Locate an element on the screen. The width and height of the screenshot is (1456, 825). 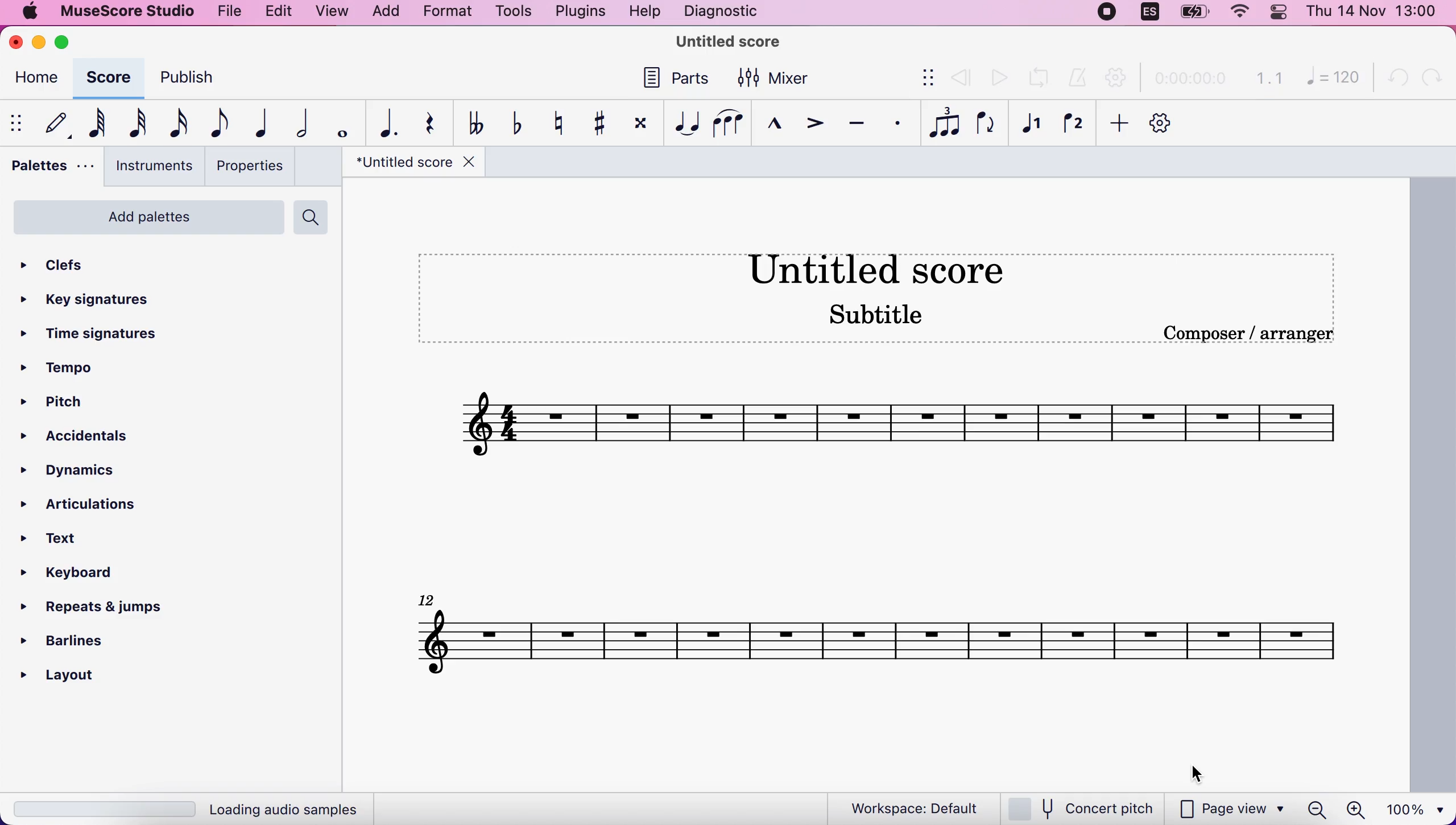
accent is located at coordinates (810, 126).